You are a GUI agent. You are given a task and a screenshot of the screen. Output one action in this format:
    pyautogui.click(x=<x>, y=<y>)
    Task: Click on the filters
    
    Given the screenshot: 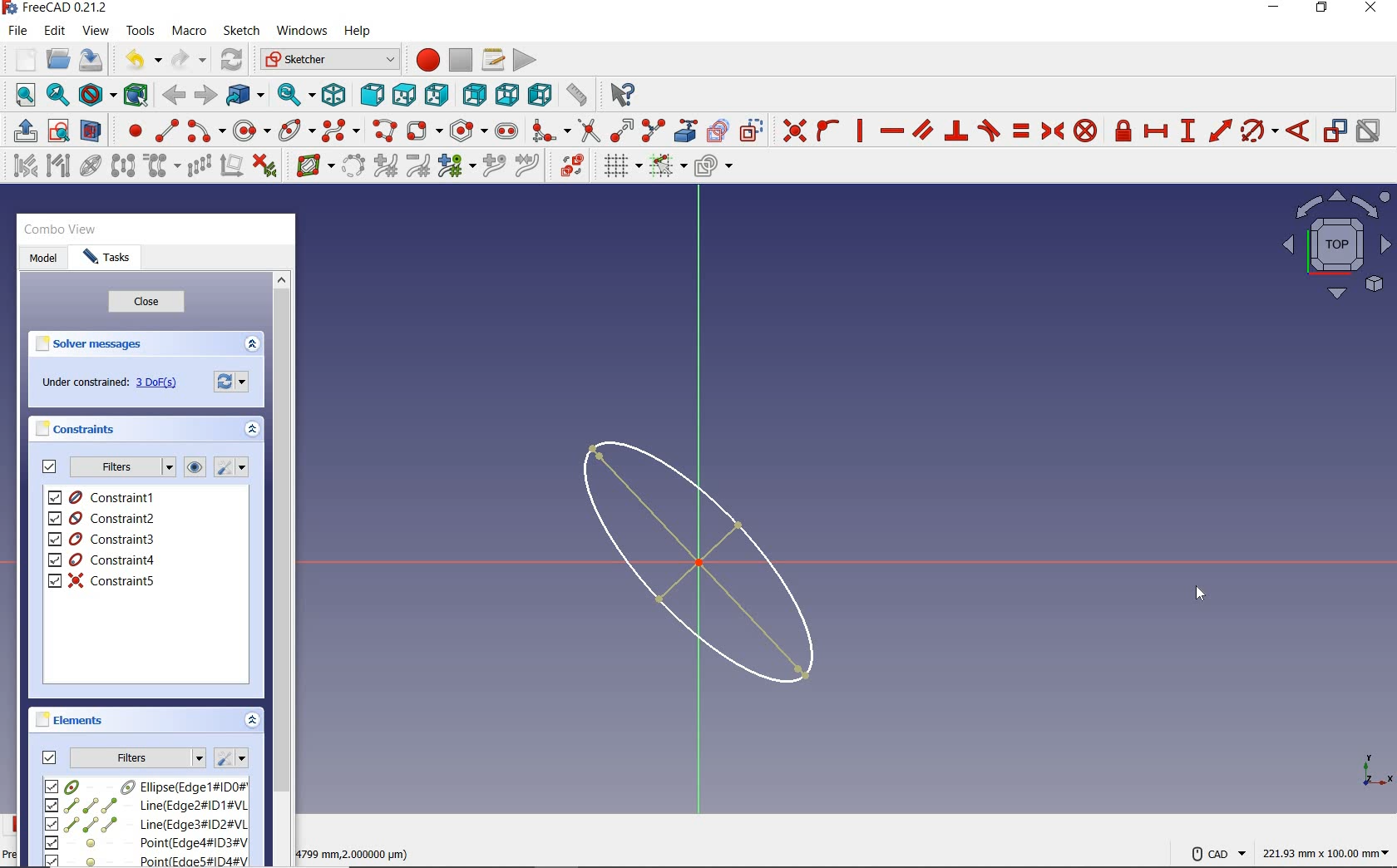 What is the action you would take?
    pyautogui.click(x=121, y=467)
    